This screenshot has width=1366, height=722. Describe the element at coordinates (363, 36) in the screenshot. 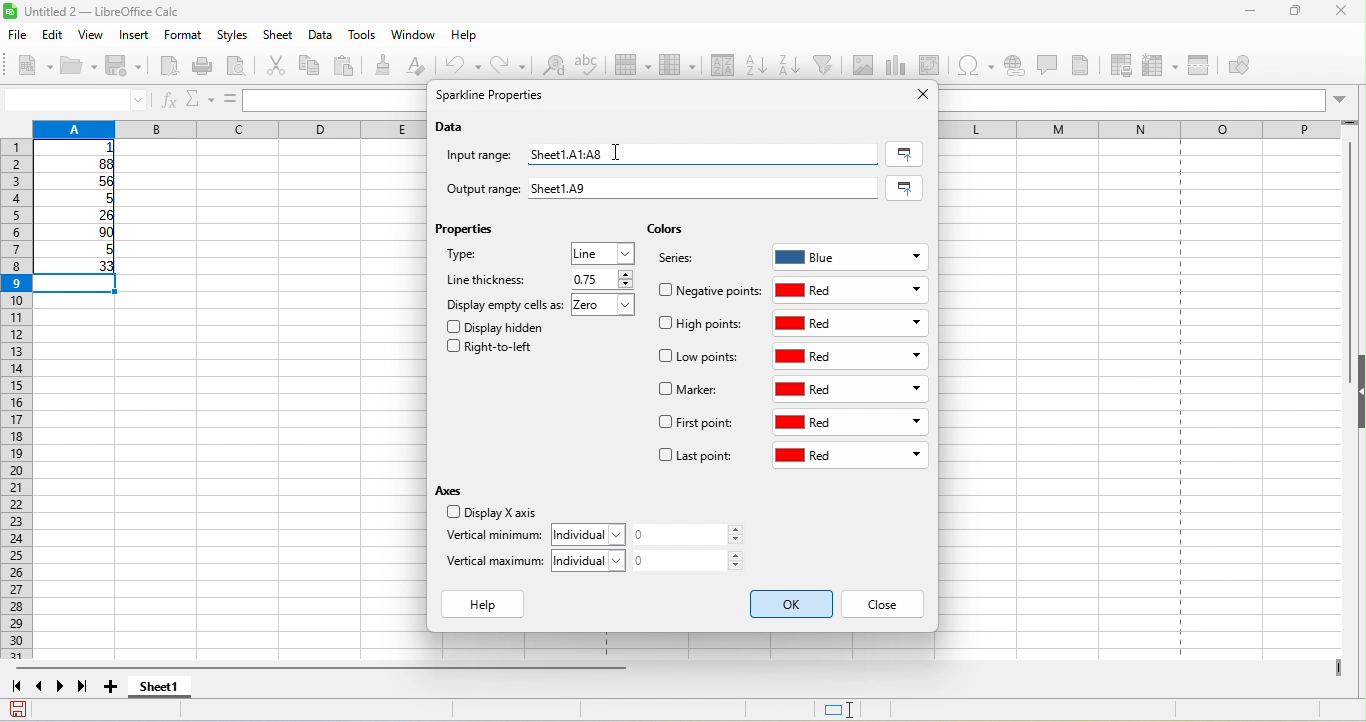

I see `tools` at that location.